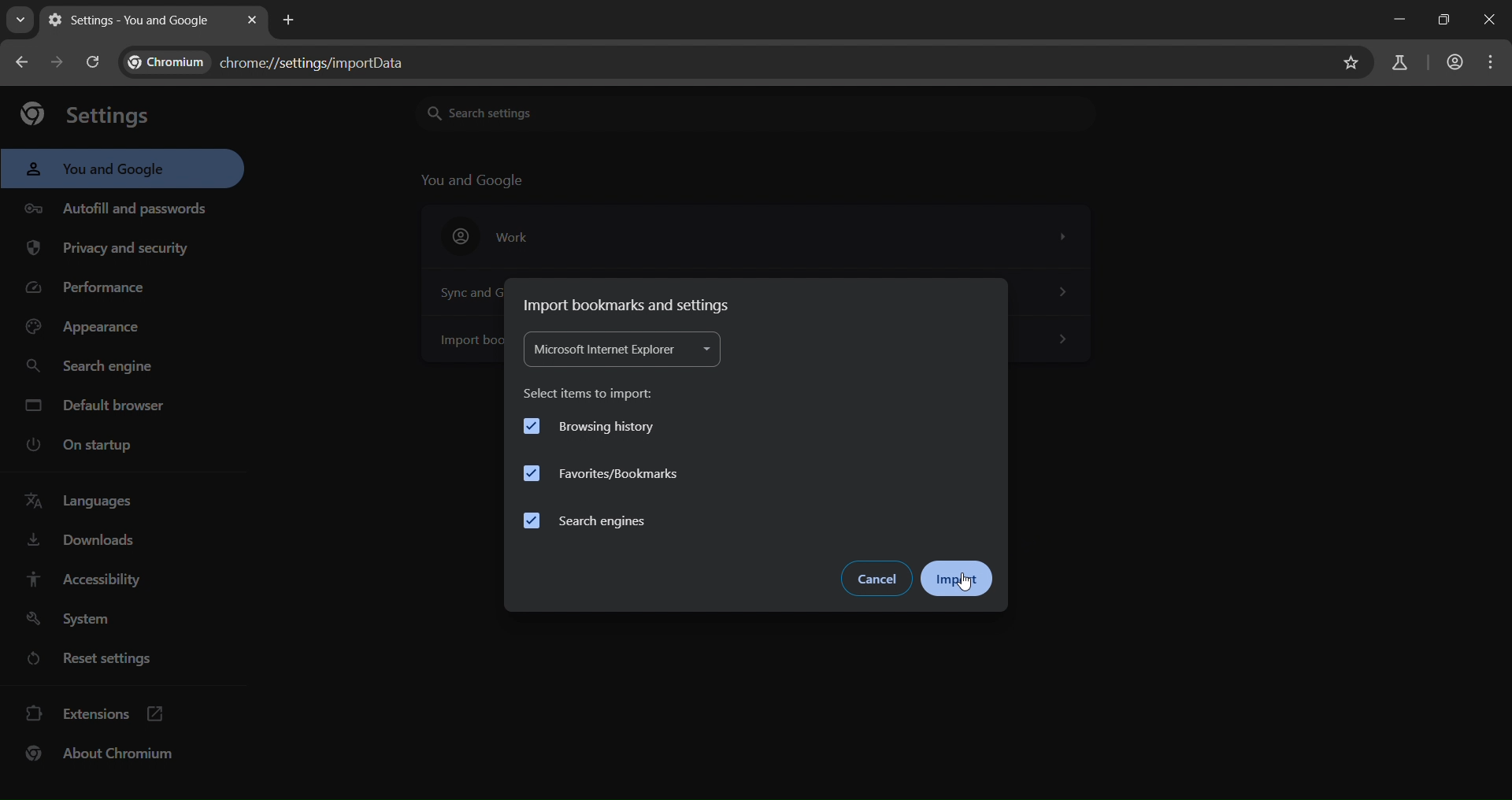 The image size is (1512, 800). I want to click on default browser, so click(102, 405).